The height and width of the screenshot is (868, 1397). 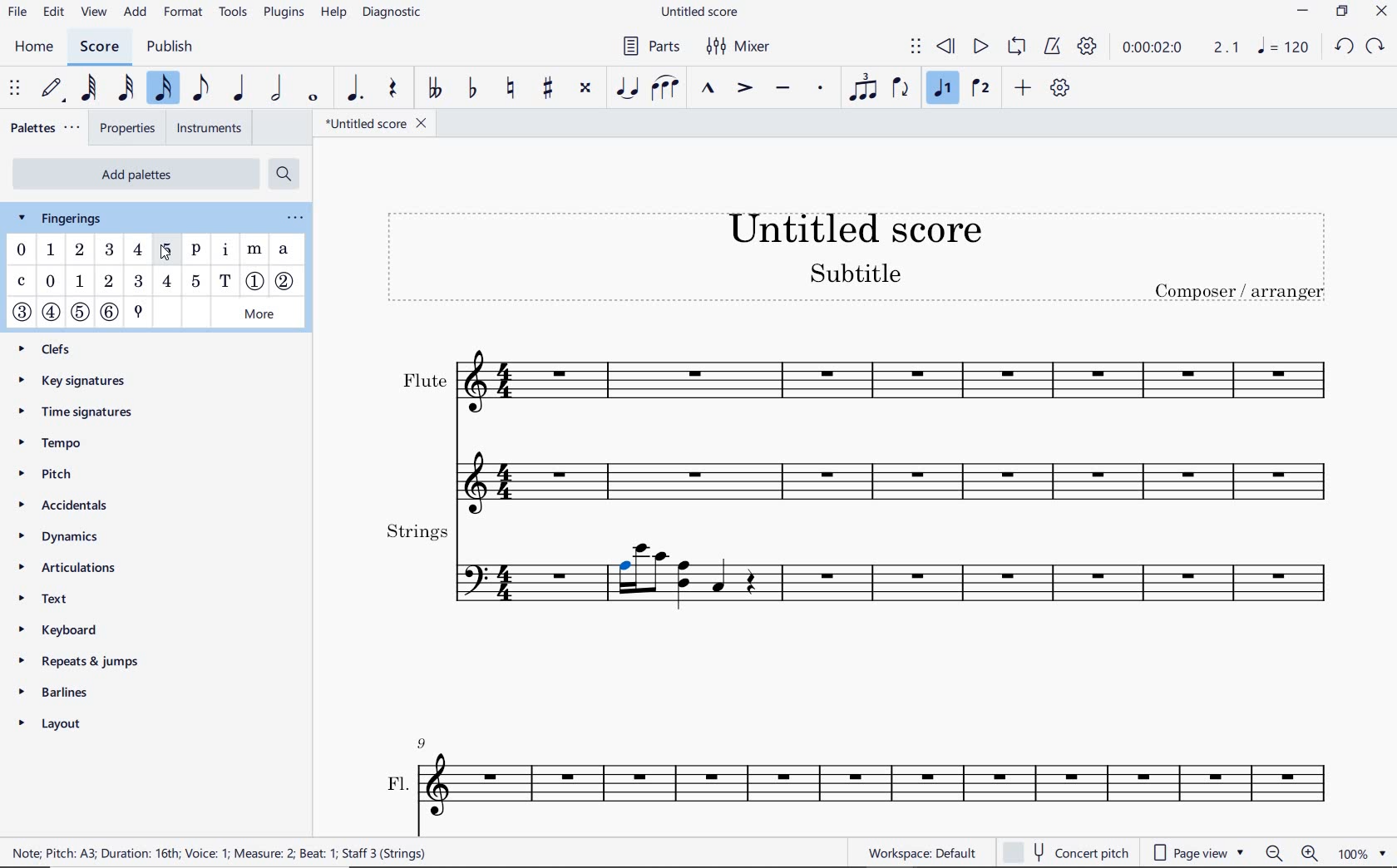 I want to click on plugins, so click(x=284, y=15).